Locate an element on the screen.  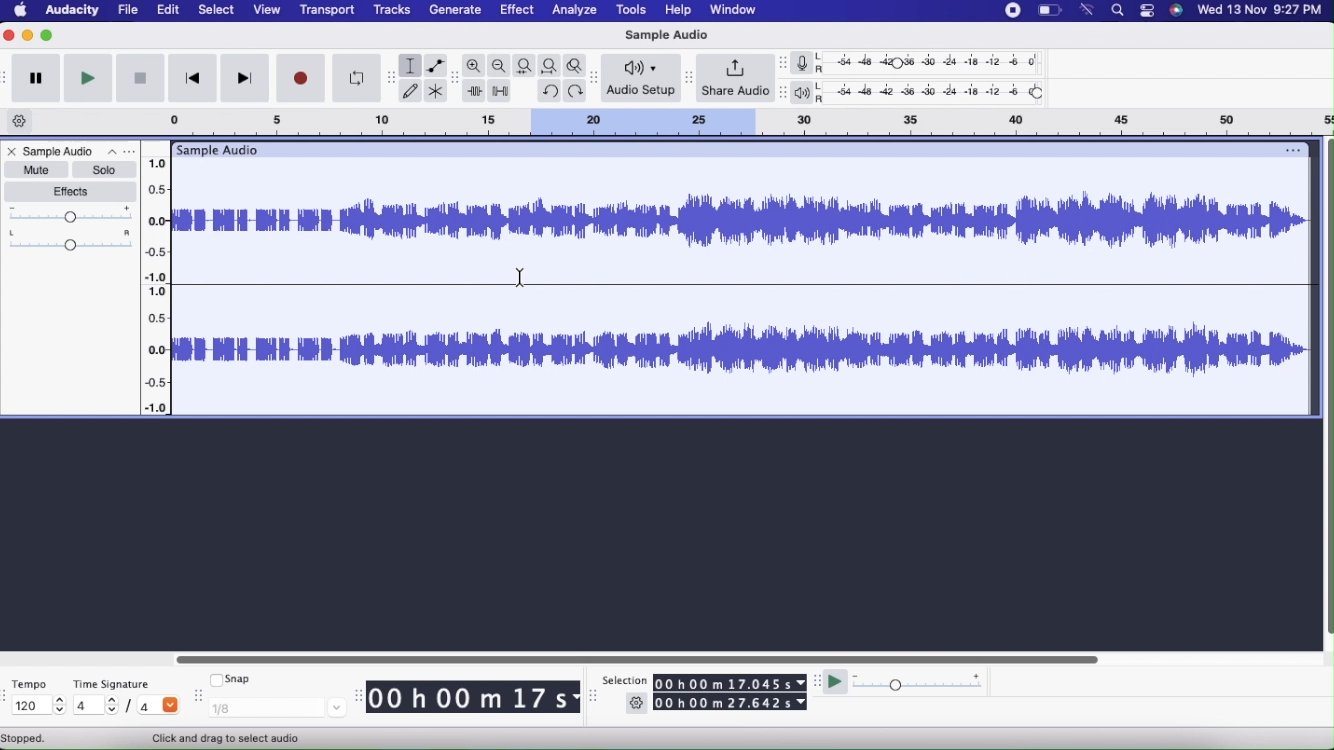
power is located at coordinates (1050, 10).